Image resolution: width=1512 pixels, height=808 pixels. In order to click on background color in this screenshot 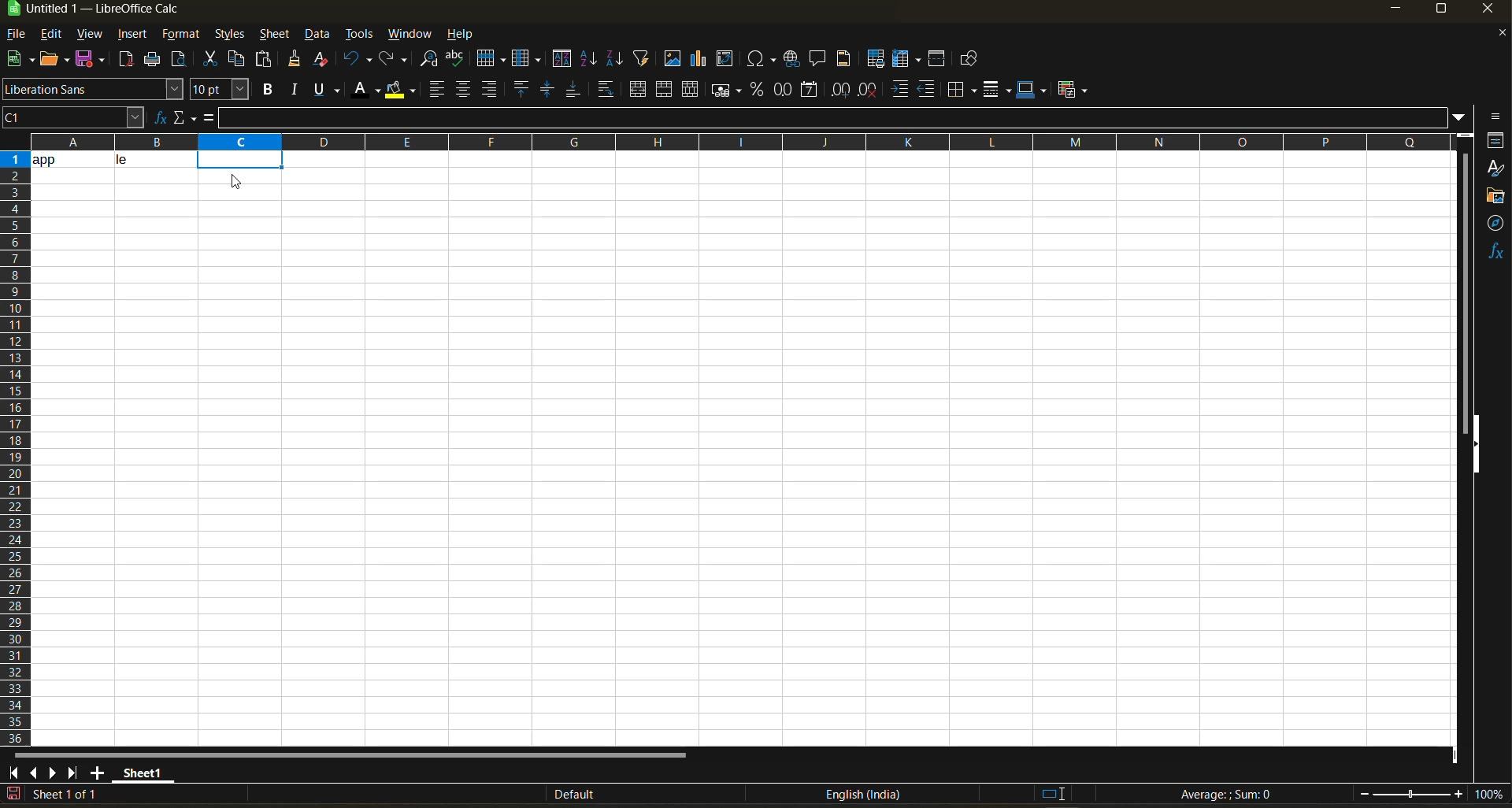, I will do `click(399, 91)`.